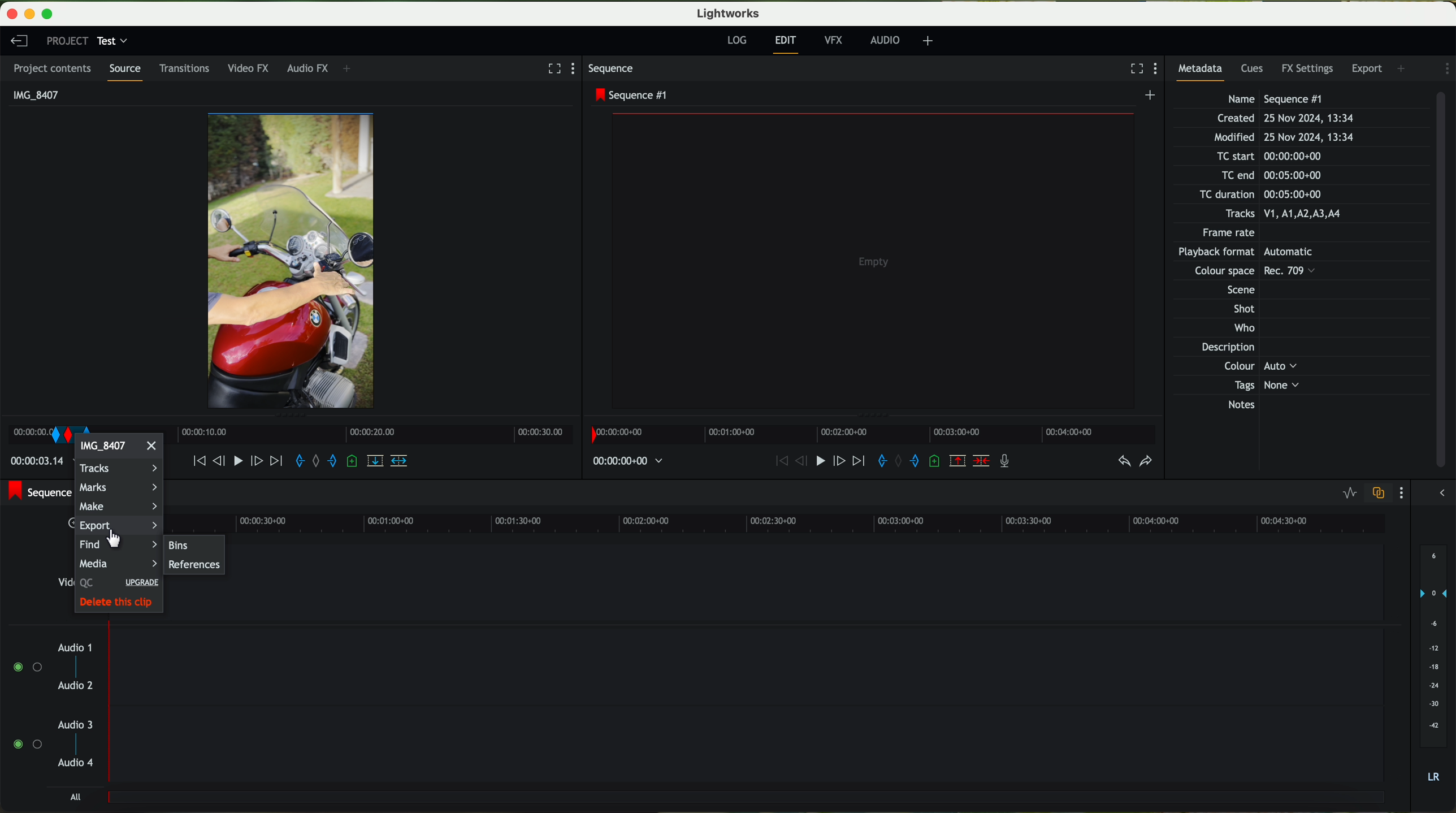  Describe the element at coordinates (251, 70) in the screenshot. I see `video FX` at that location.